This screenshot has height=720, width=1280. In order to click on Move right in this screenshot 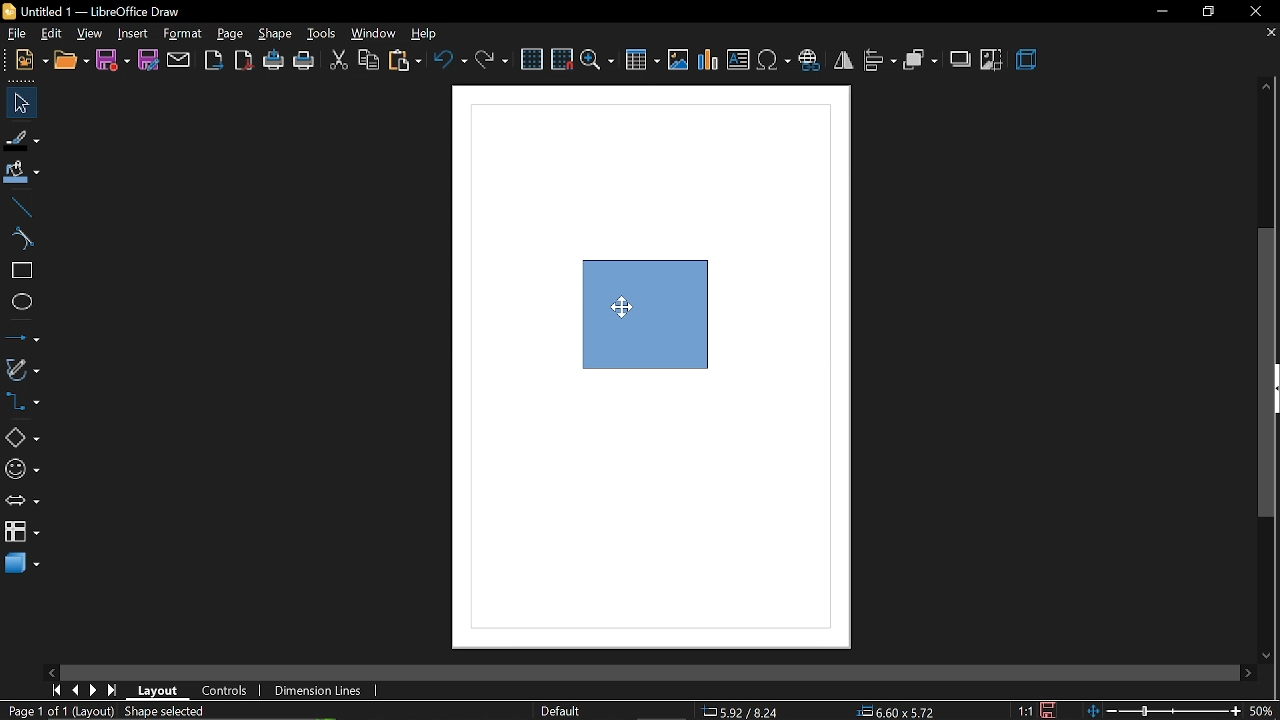, I will do `click(1249, 673)`.